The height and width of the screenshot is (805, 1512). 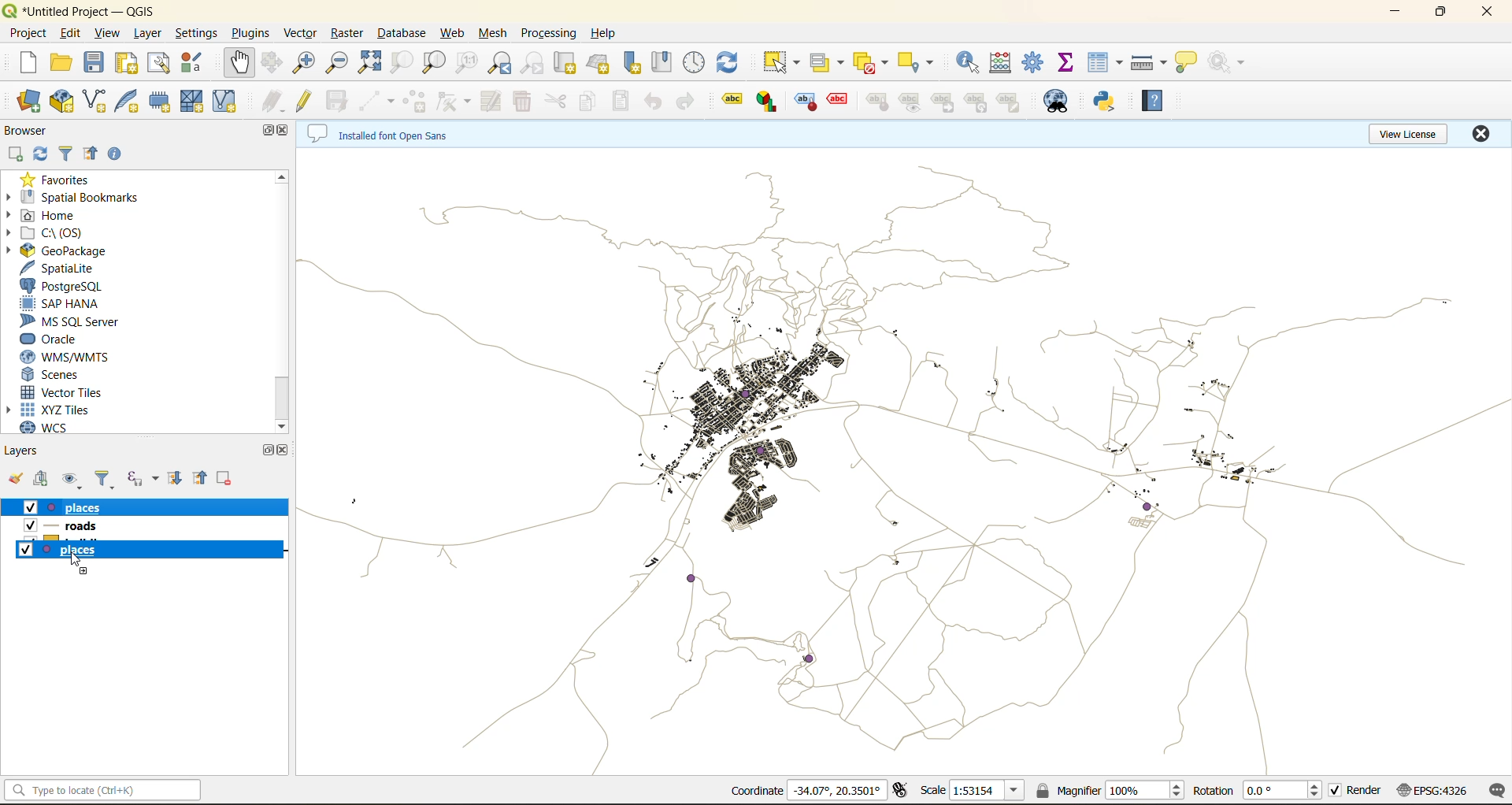 What do you see at coordinates (1005, 61) in the screenshot?
I see `open calculator` at bounding box center [1005, 61].